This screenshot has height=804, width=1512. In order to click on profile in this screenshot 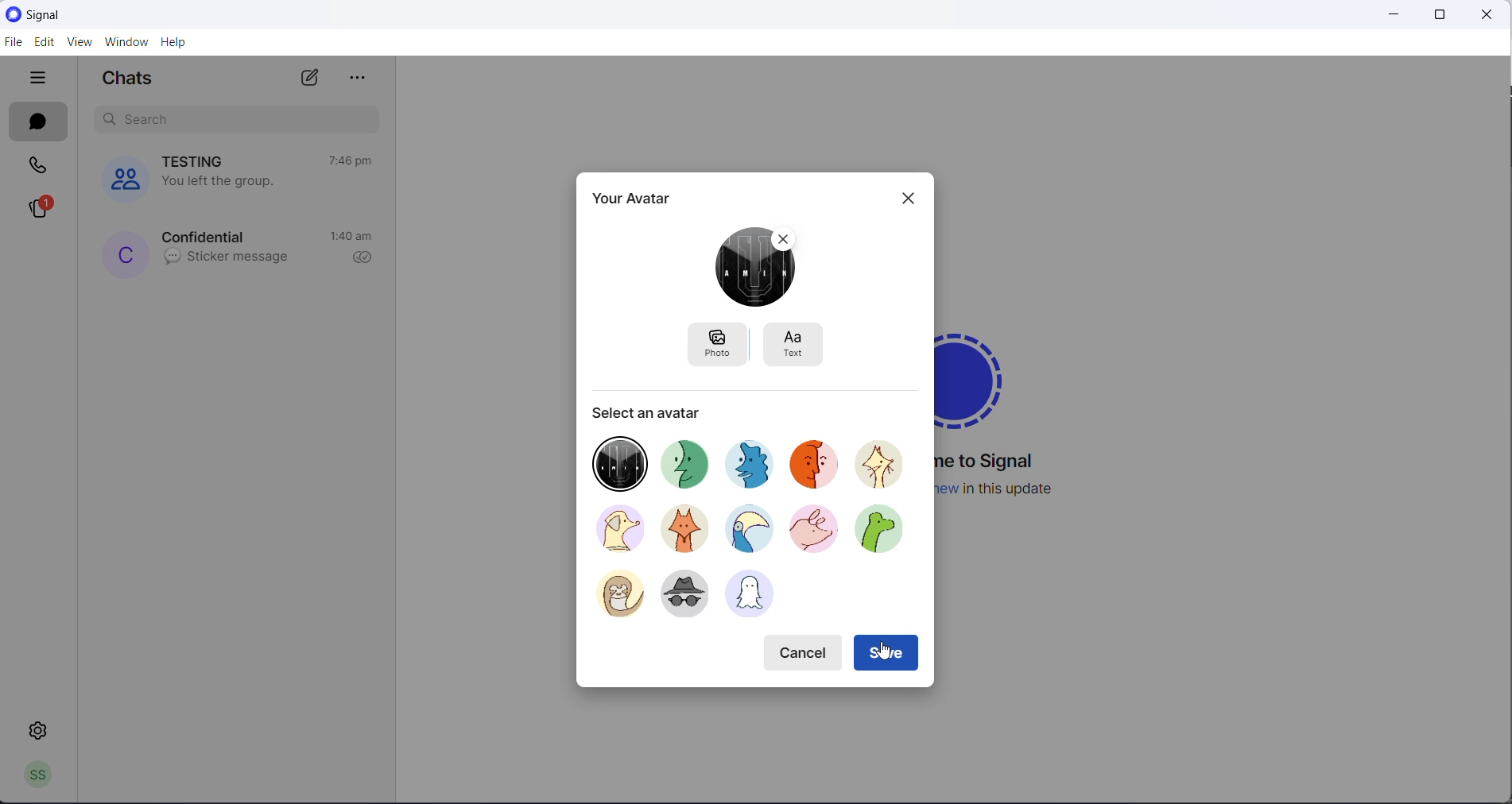, I will do `click(33, 778)`.